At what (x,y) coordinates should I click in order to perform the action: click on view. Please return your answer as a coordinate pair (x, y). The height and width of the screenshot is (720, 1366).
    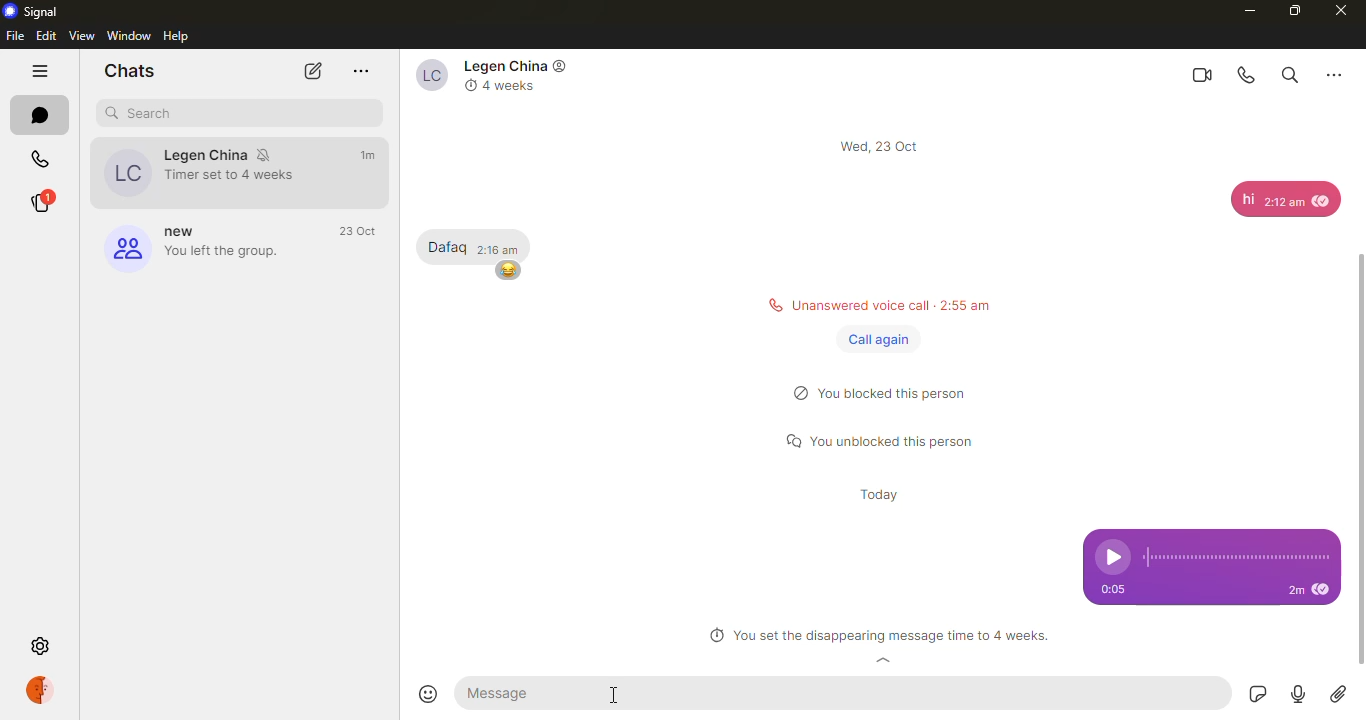
    Looking at the image, I should click on (83, 35).